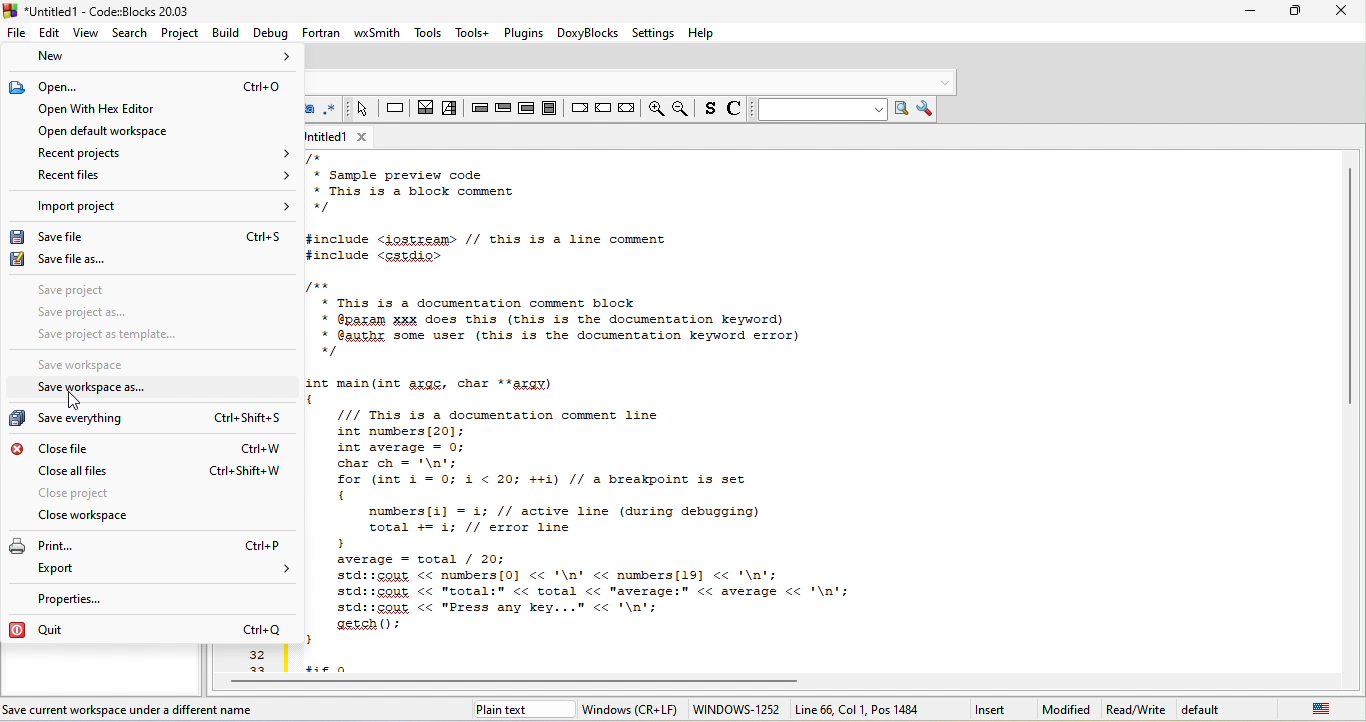 The height and width of the screenshot is (722, 1366). What do you see at coordinates (527, 683) in the screenshot?
I see `horizontal scroll bar` at bounding box center [527, 683].